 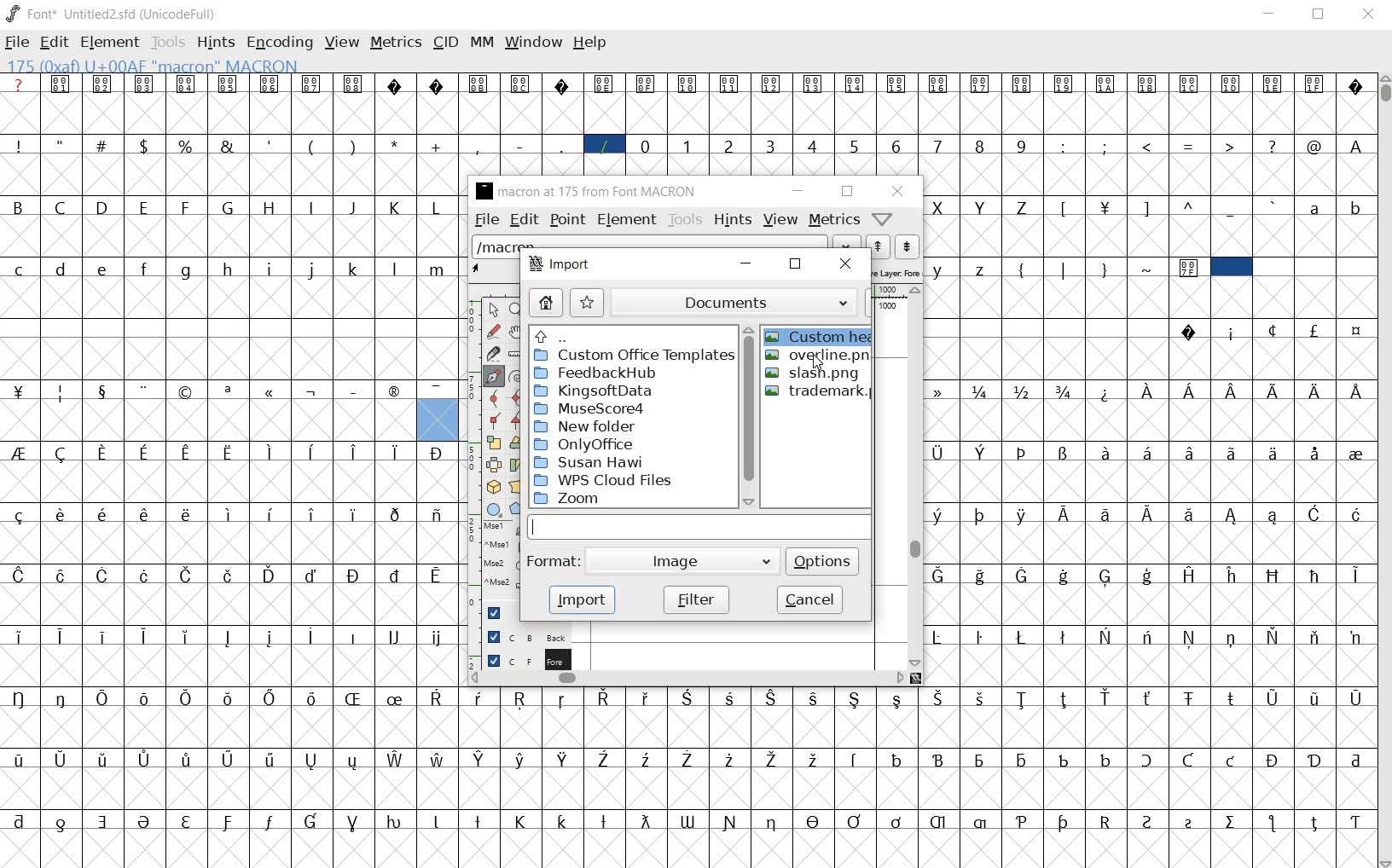 What do you see at coordinates (848, 192) in the screenshot?
I see `maximize` at bounding box center [848, 192].